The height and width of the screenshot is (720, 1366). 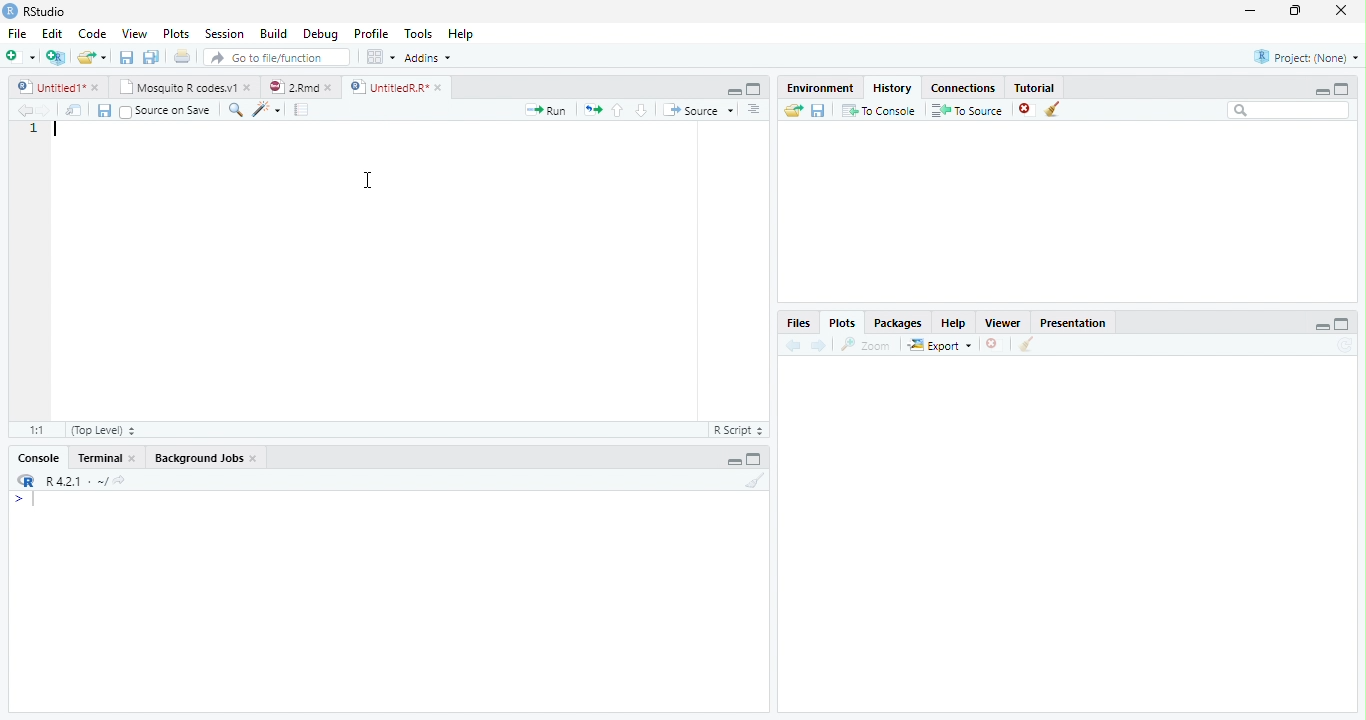 What do you see at coordinates (460, 35) in the screenshot?
I see `Help` at bounding box center [460, 35].